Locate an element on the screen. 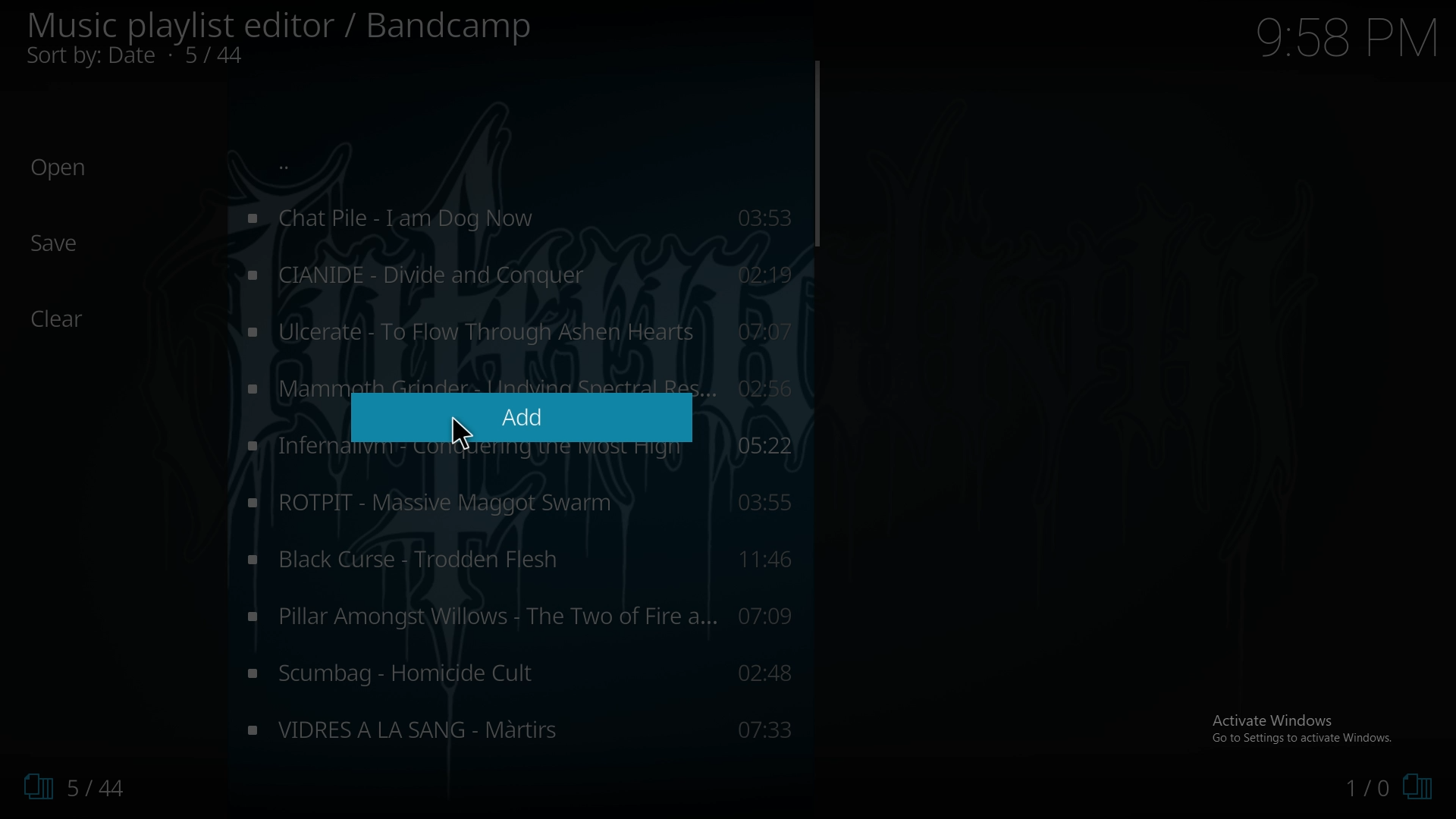 This screenshot has height=819, width=1456. 1/3 is located at coordinates (68, 787).